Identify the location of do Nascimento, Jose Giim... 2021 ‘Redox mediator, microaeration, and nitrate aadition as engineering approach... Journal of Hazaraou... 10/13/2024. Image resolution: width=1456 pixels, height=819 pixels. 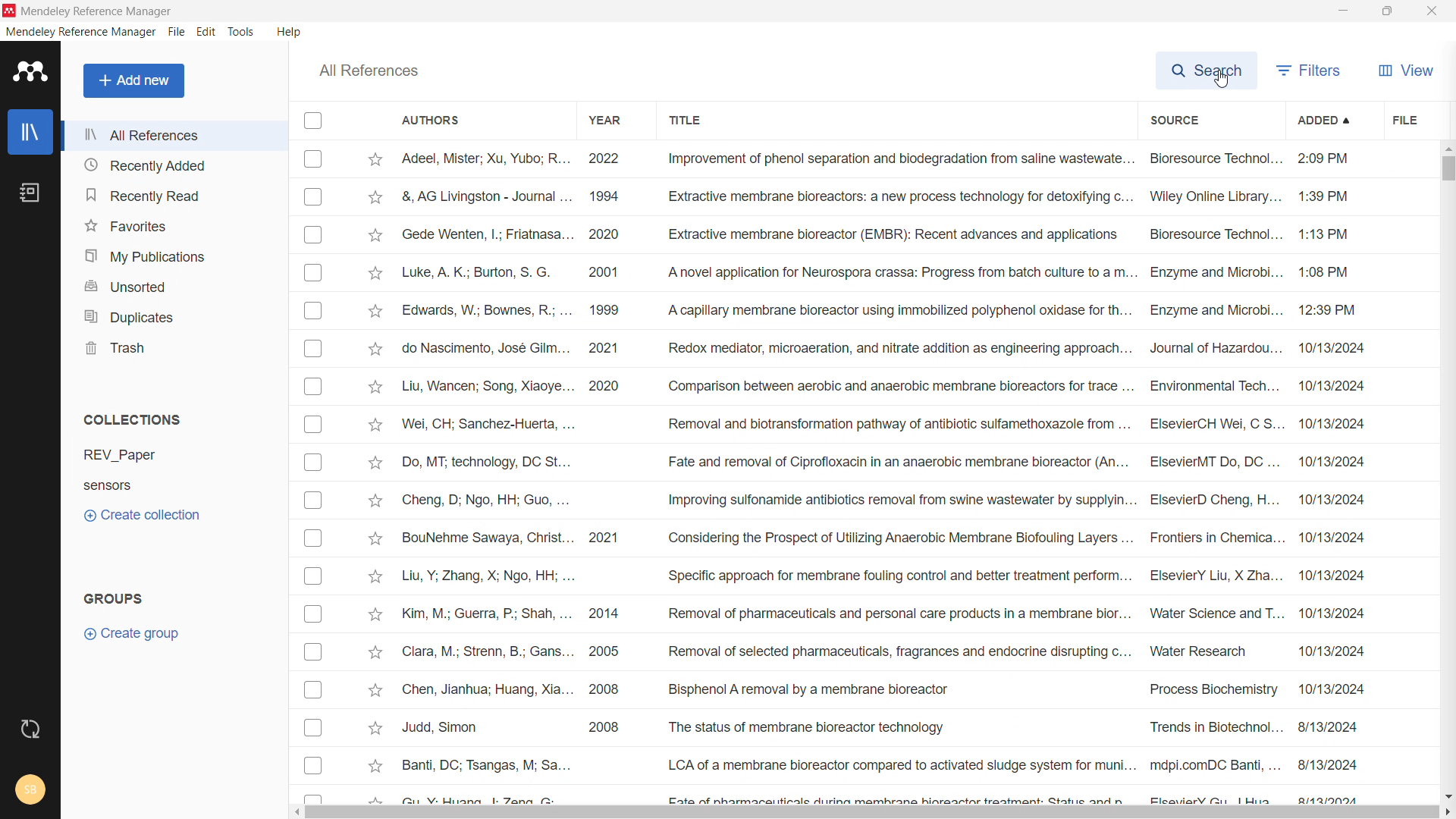
(892, 349).